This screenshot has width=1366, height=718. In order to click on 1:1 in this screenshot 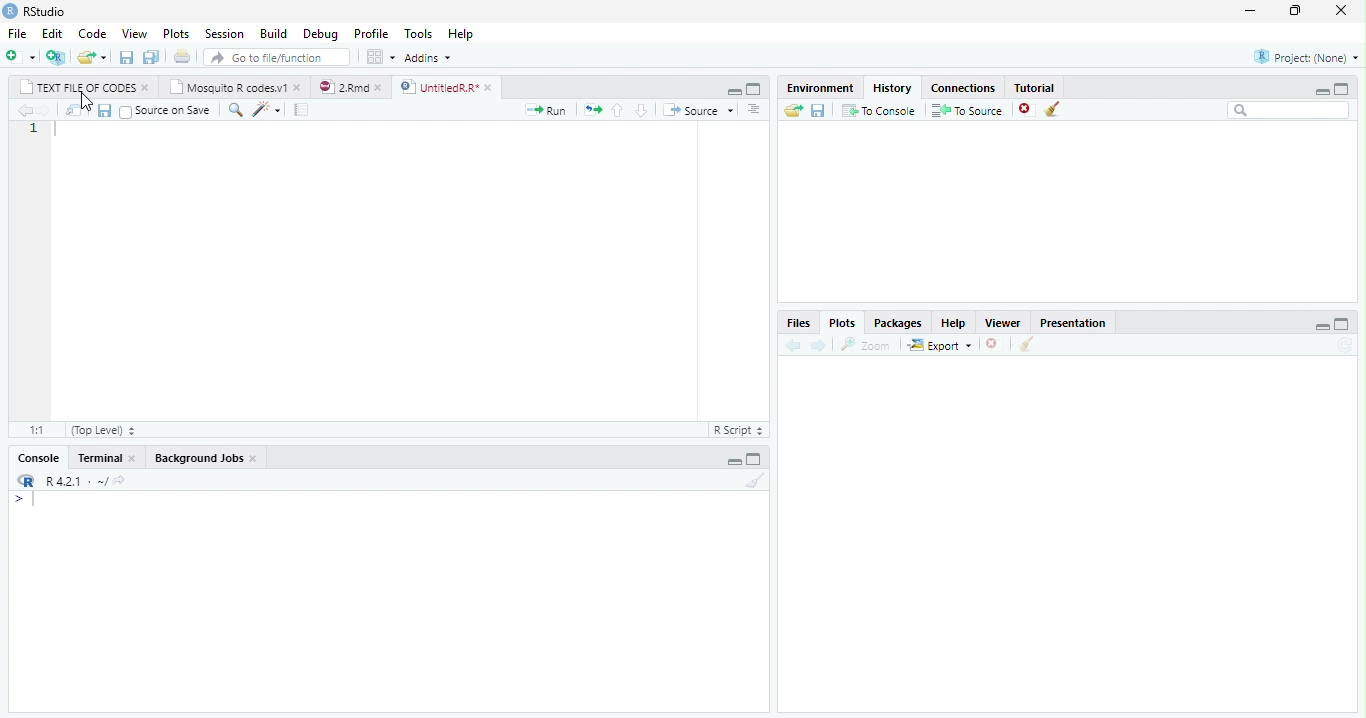, I will do `click(25, 429)`.